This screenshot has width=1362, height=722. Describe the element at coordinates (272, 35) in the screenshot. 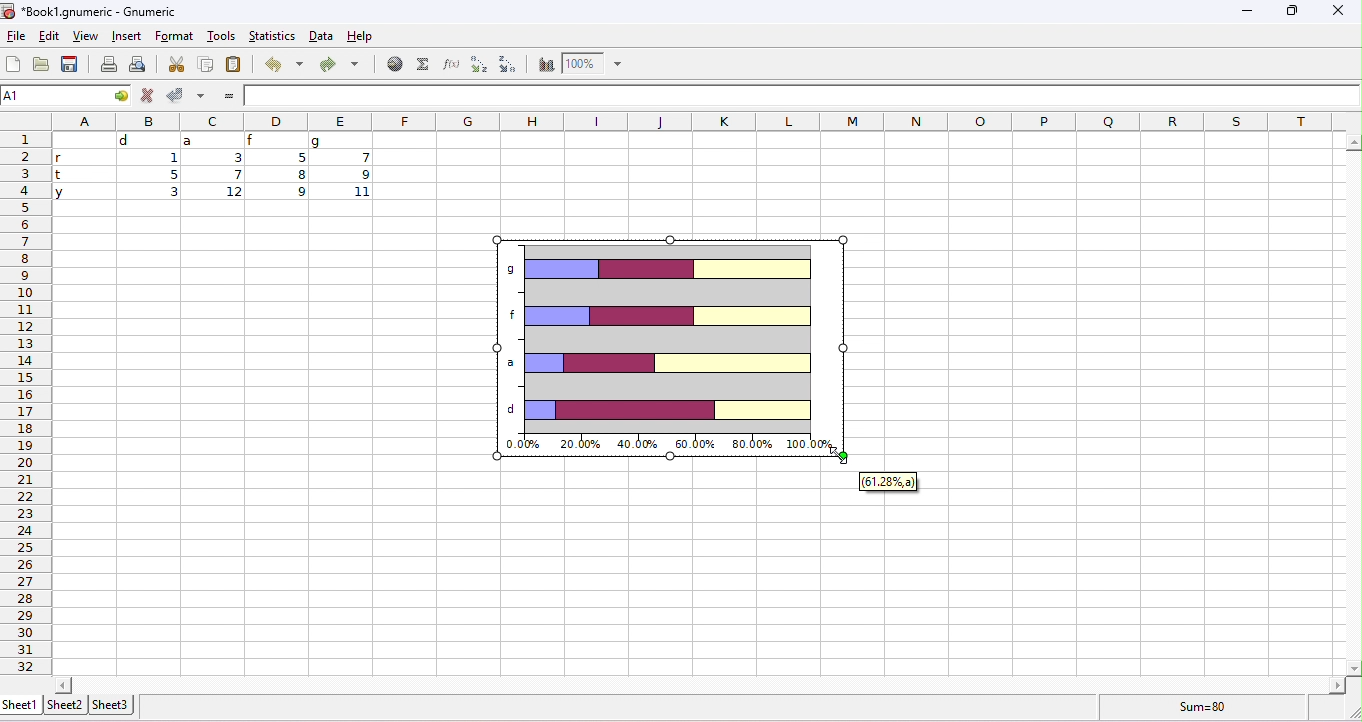

I see `statistics` at that location.